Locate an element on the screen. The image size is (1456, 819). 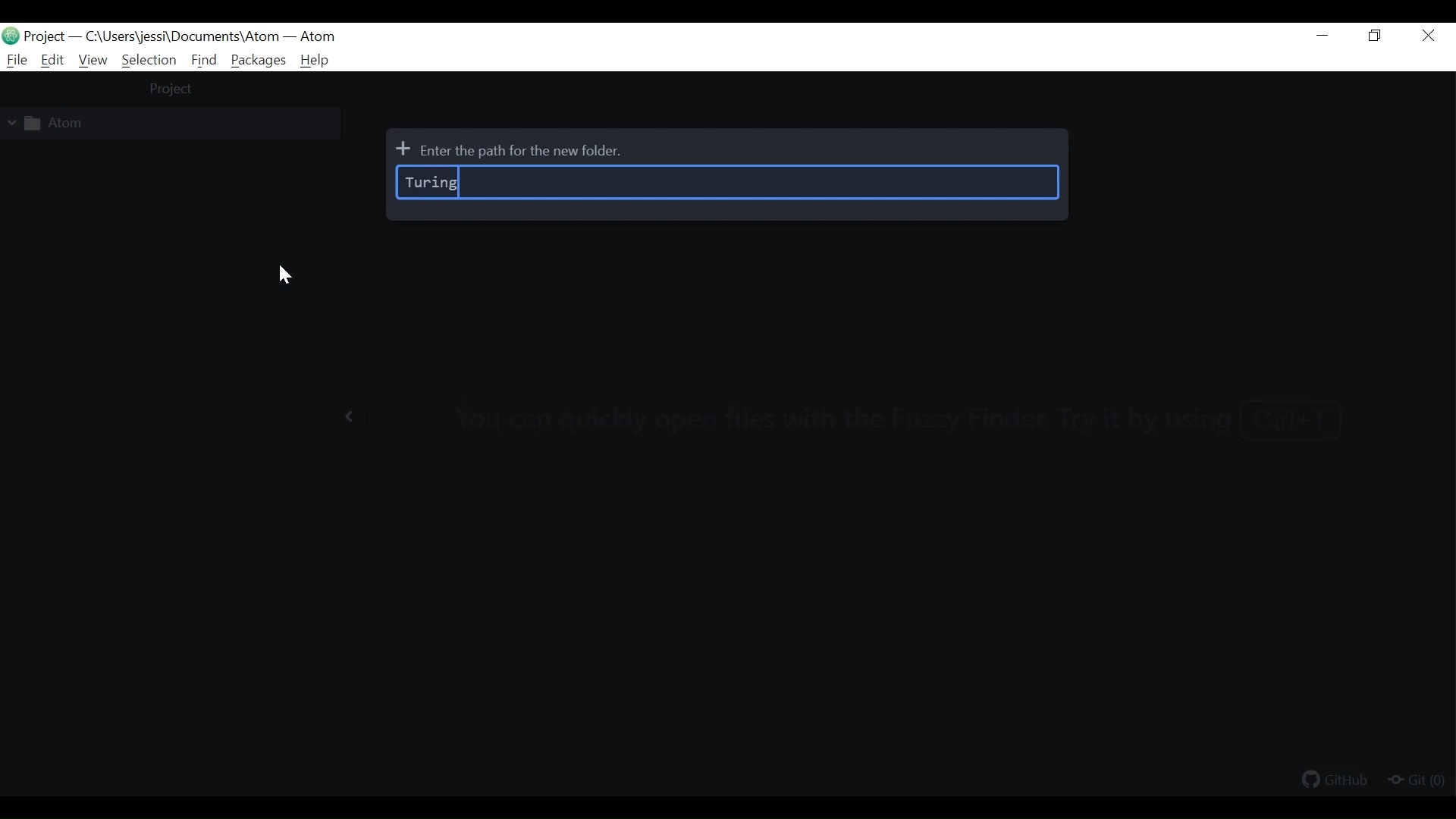
Selection is located at coordinates (149, 60).